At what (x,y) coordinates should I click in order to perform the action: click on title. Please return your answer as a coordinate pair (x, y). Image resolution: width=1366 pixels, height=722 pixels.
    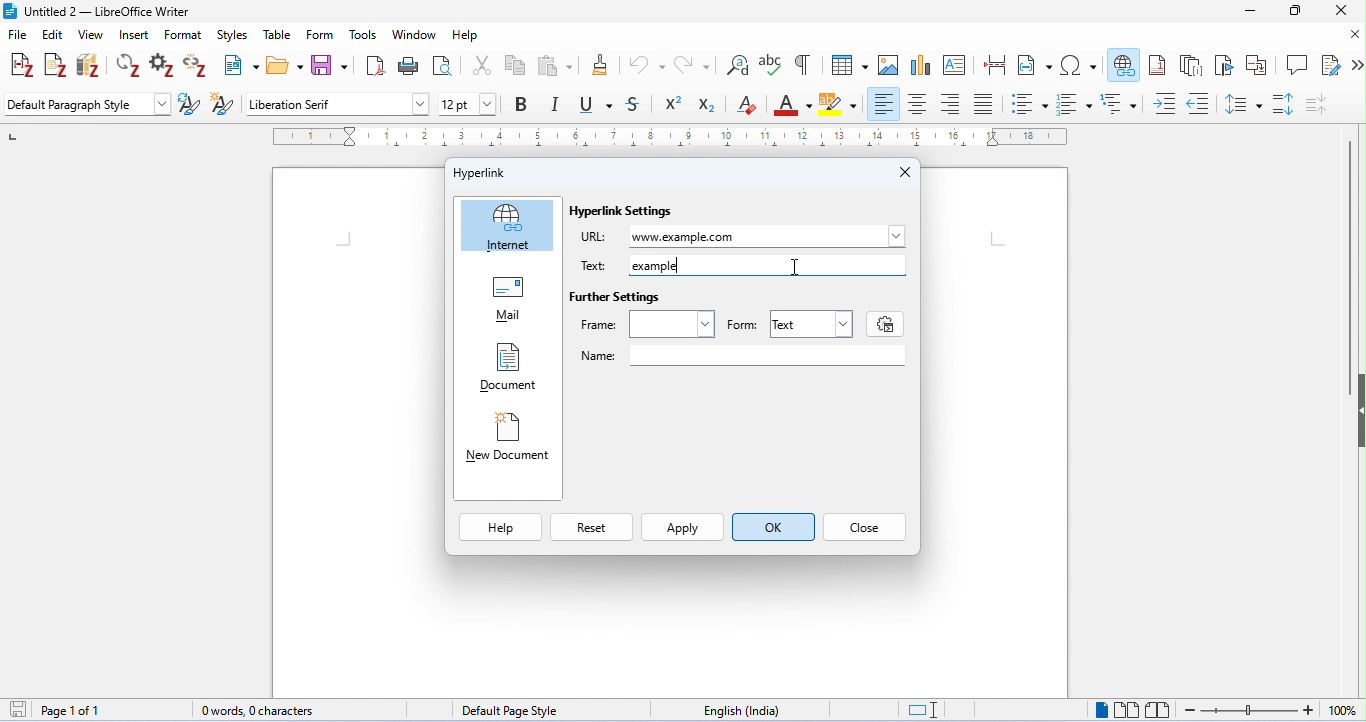
    Looking at the image, I should click on (98, 12).